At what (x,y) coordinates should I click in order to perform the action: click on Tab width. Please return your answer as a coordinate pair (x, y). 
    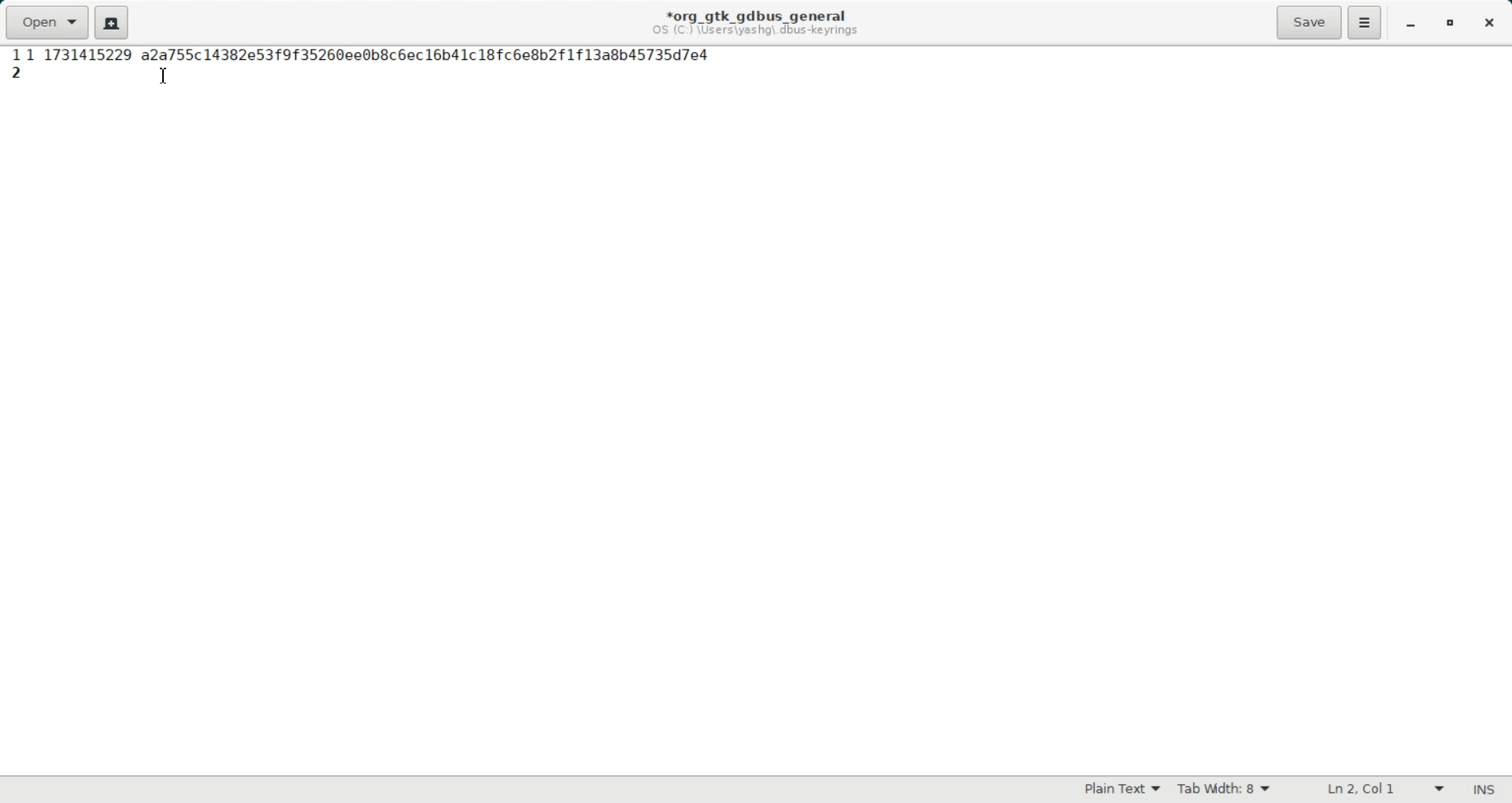
    Looking at the image, I should click on (1225, 790).